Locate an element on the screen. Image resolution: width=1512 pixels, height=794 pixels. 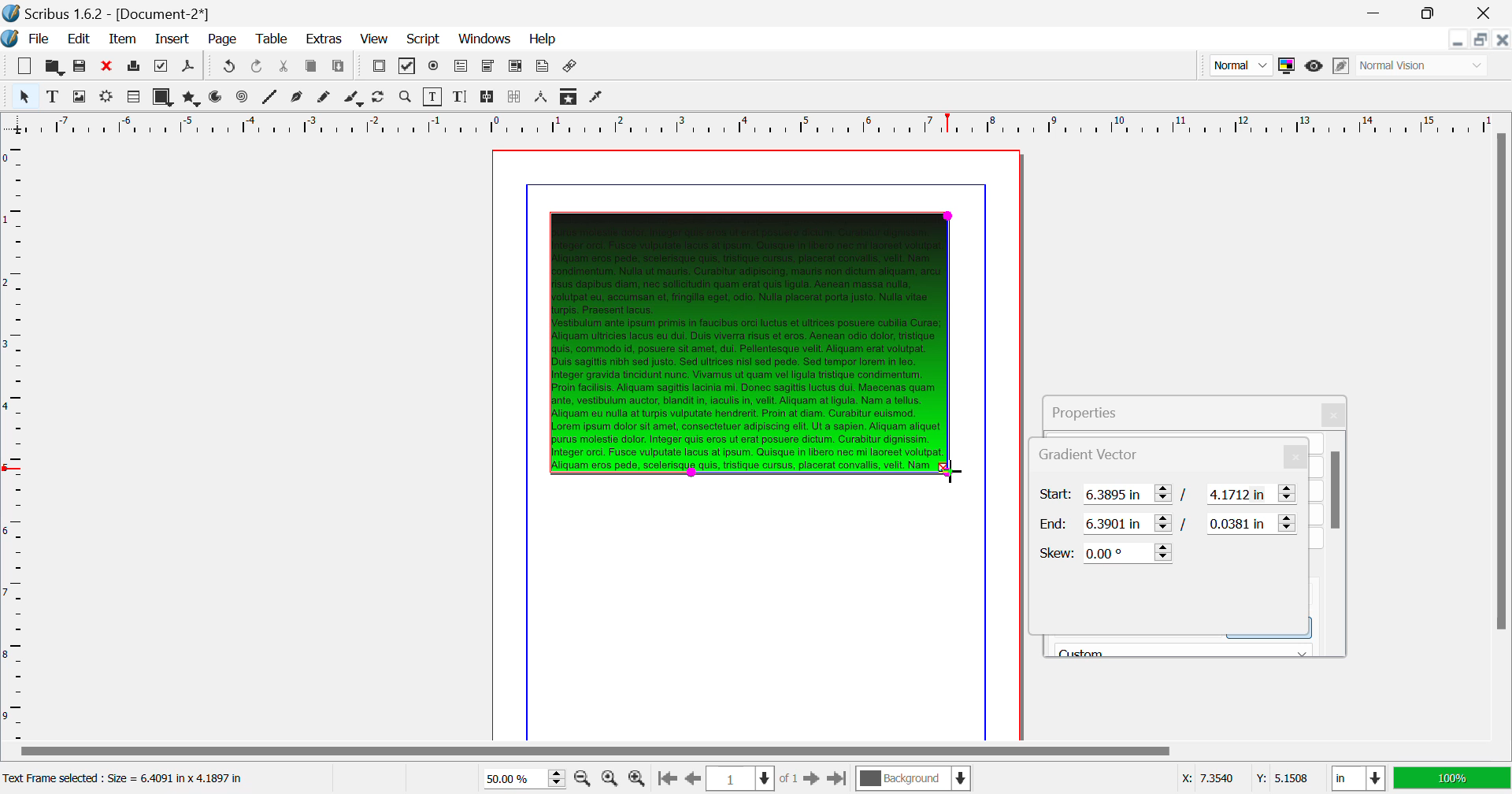
Zoom is located at coordinates (406, 97).